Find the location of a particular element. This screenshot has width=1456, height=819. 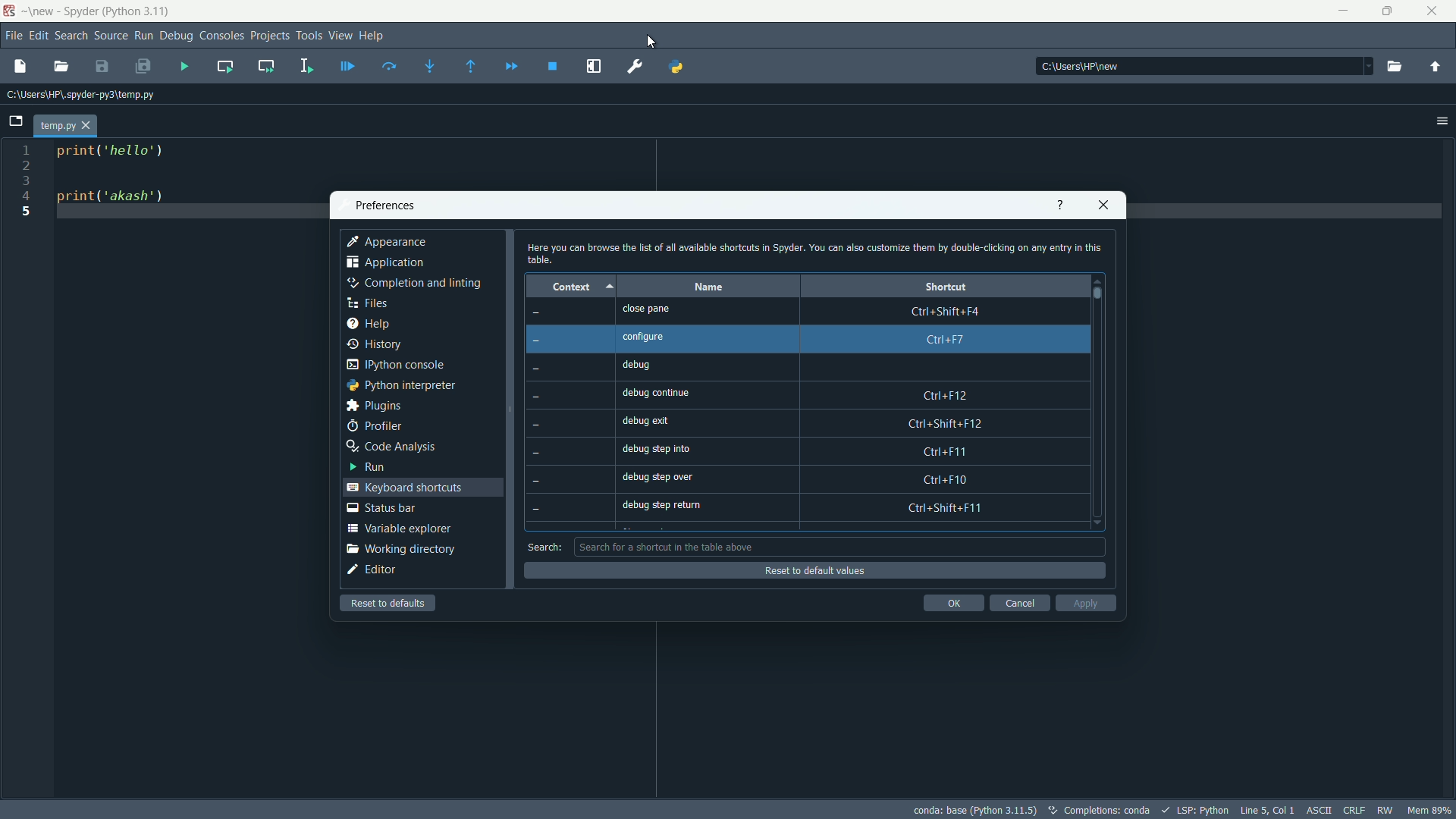

 is located at coordinates (413, 284).